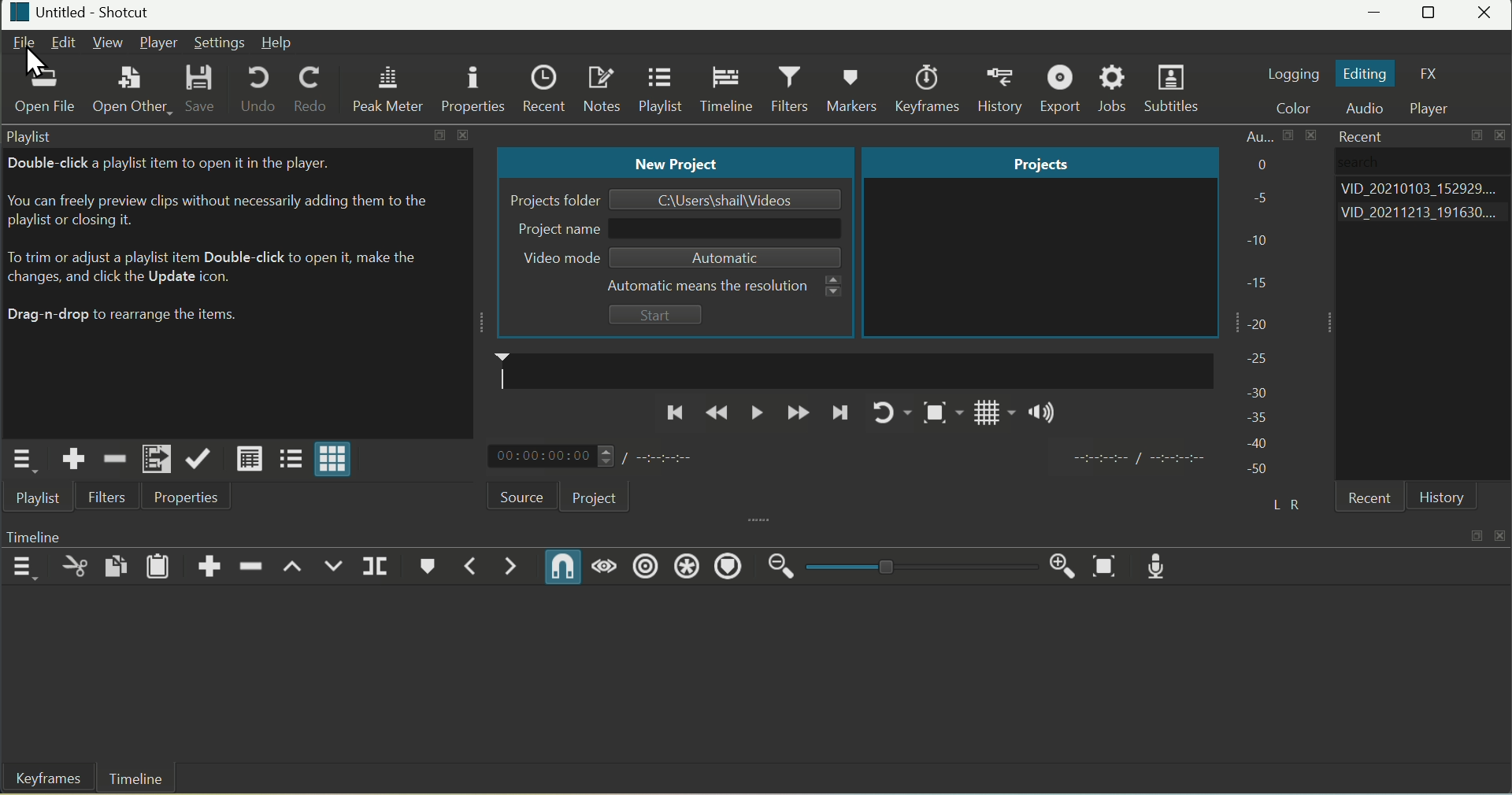 The image size is (1512, 795). What do you see at coordinates (46, 93) in the screenshot?
I see `Open File` at bounding box center [46, 93].